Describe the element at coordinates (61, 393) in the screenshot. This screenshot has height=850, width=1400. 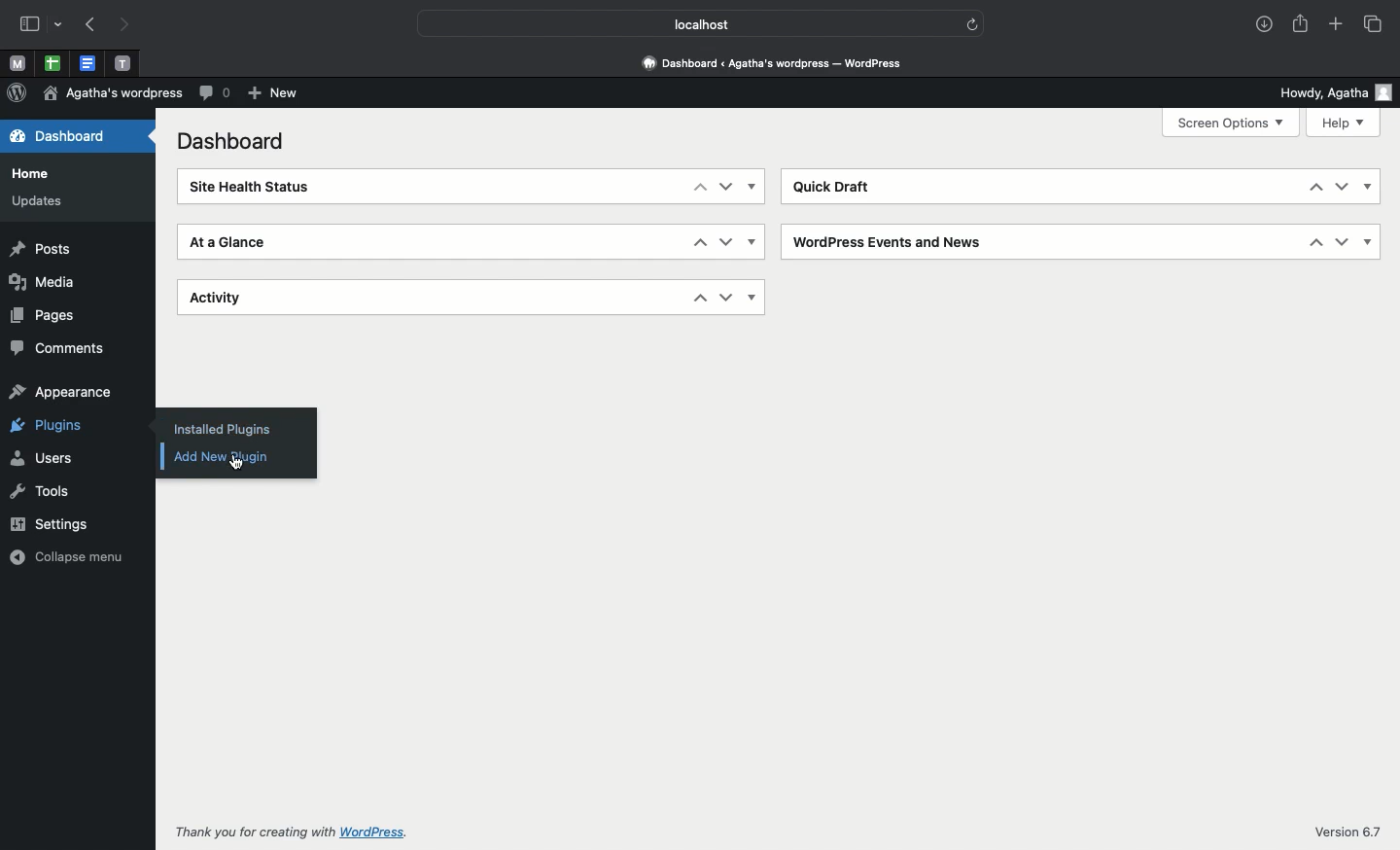
I see `Appearance` at that location.